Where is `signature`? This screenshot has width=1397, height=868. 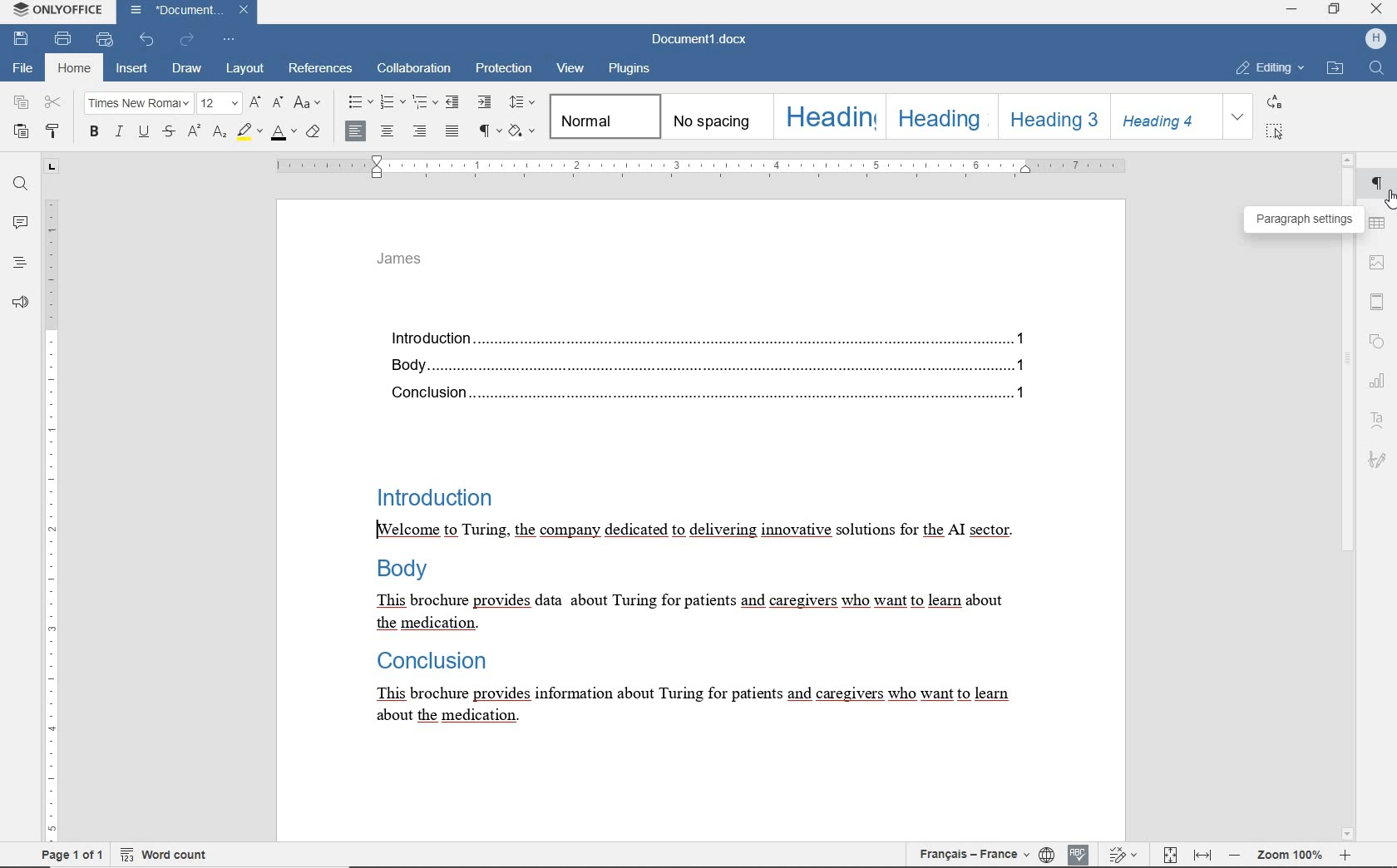
signature is located at coordinates (1380, 462).